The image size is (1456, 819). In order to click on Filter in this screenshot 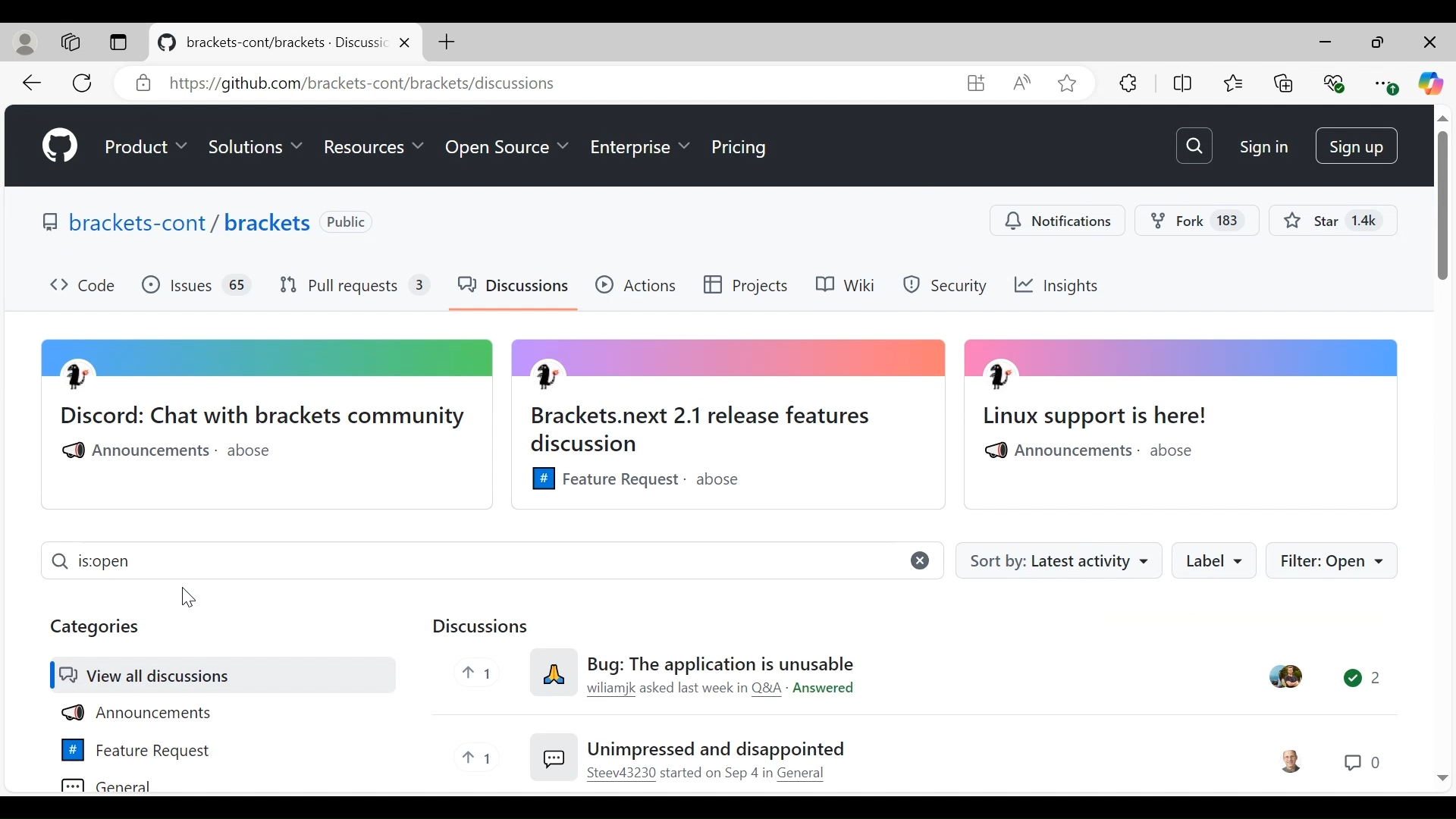, I will do `click(1329, 558)`.